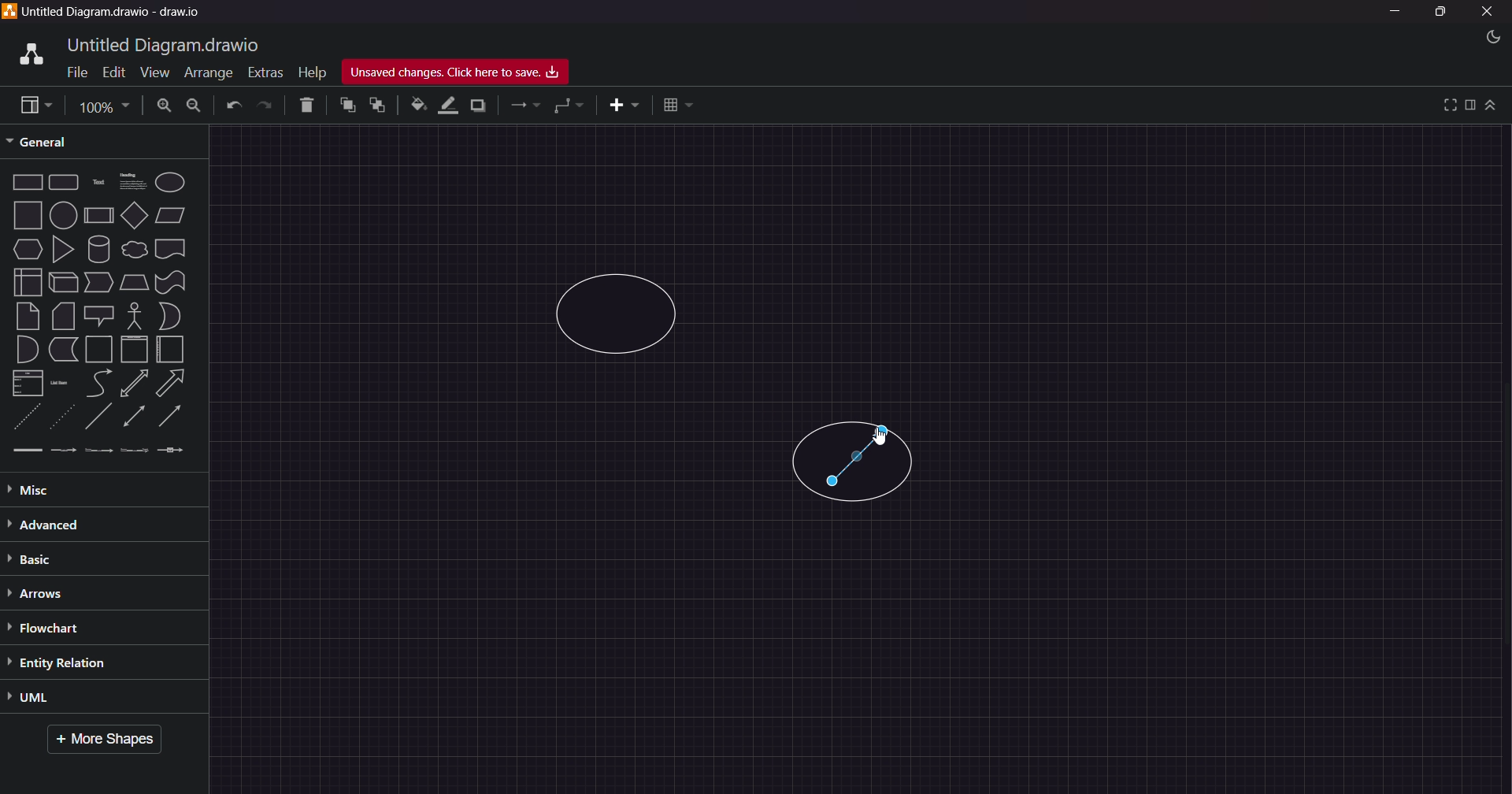  What do you see at coordinates (233, 106) in the screenshot?
I see `Undo` at bounding box center [233, 106].